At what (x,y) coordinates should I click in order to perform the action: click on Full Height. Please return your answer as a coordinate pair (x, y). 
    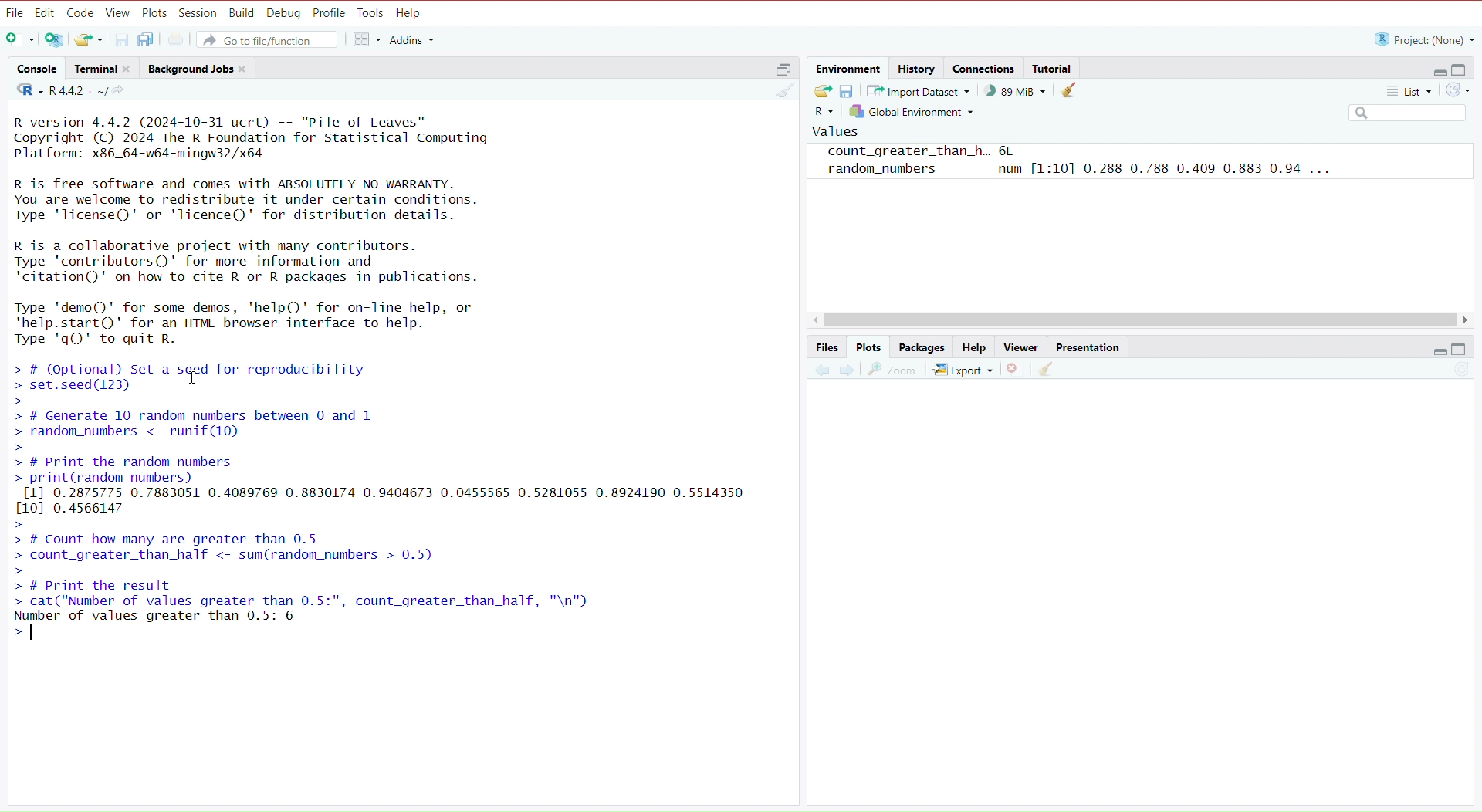
    Looking at the image, I should click on (1461, 349).